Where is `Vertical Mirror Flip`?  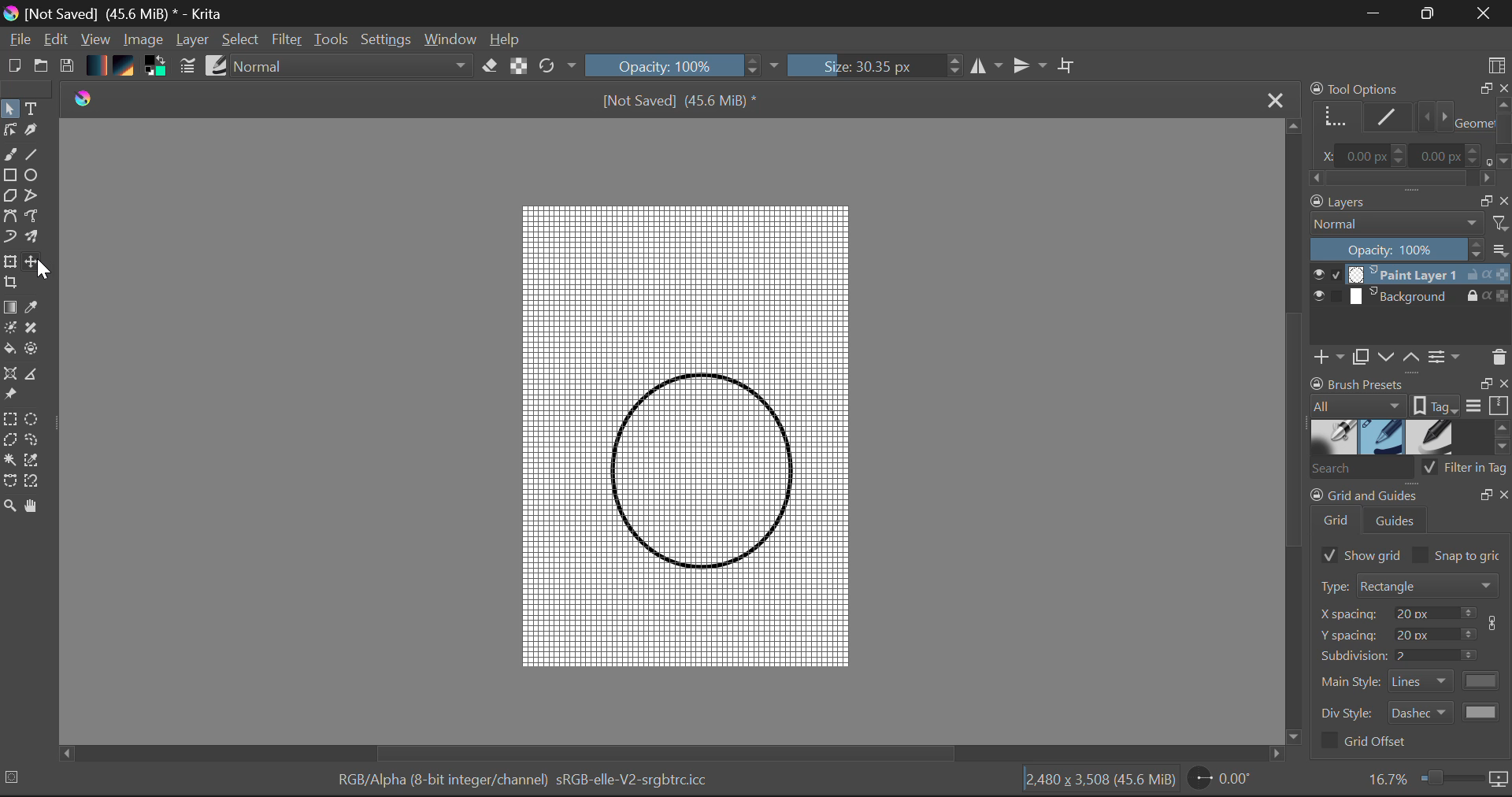 Vertical Mirror Flip is located at coordinates (988, 66).